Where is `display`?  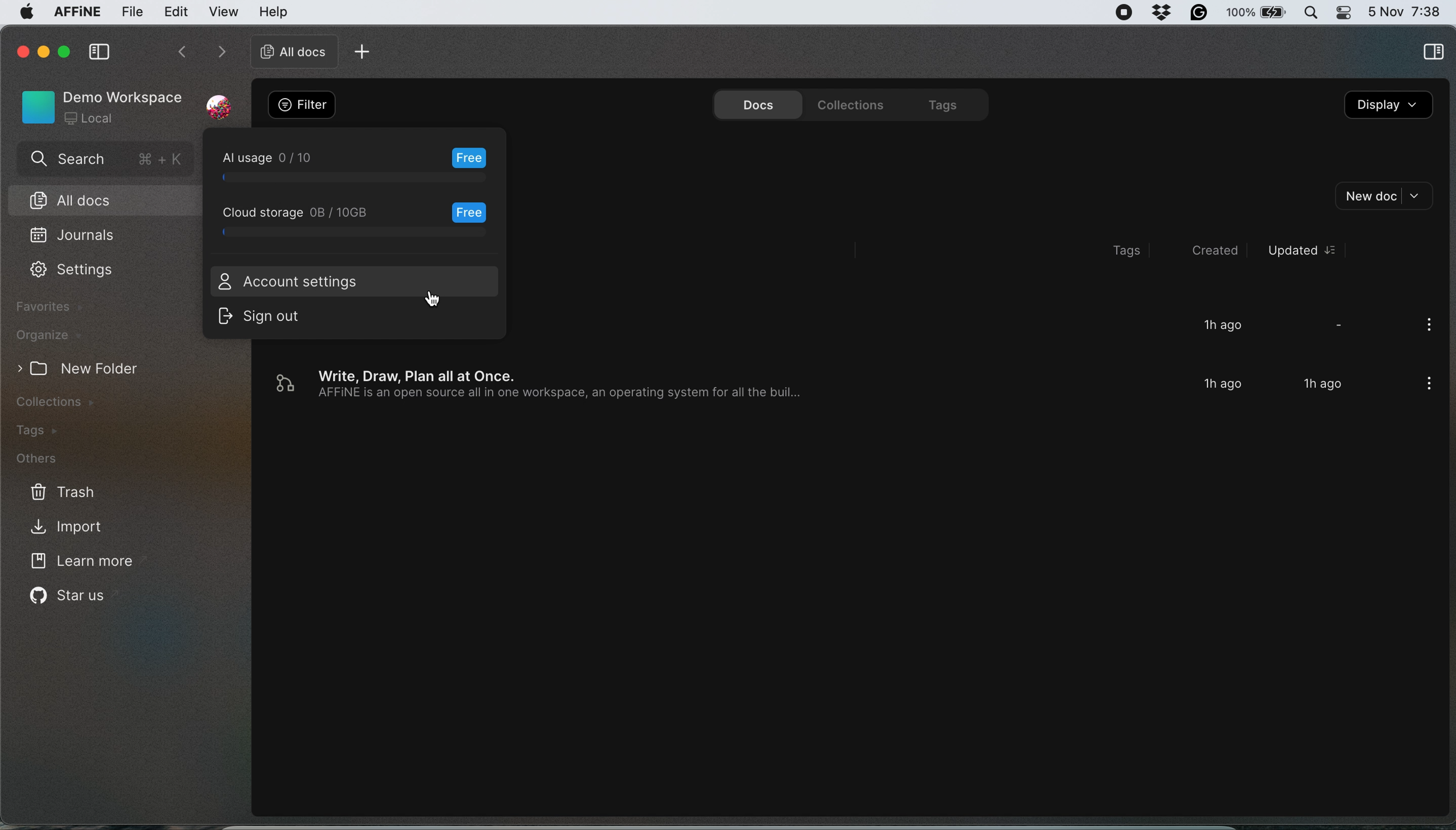
display is located at coordinates (1389, 107).